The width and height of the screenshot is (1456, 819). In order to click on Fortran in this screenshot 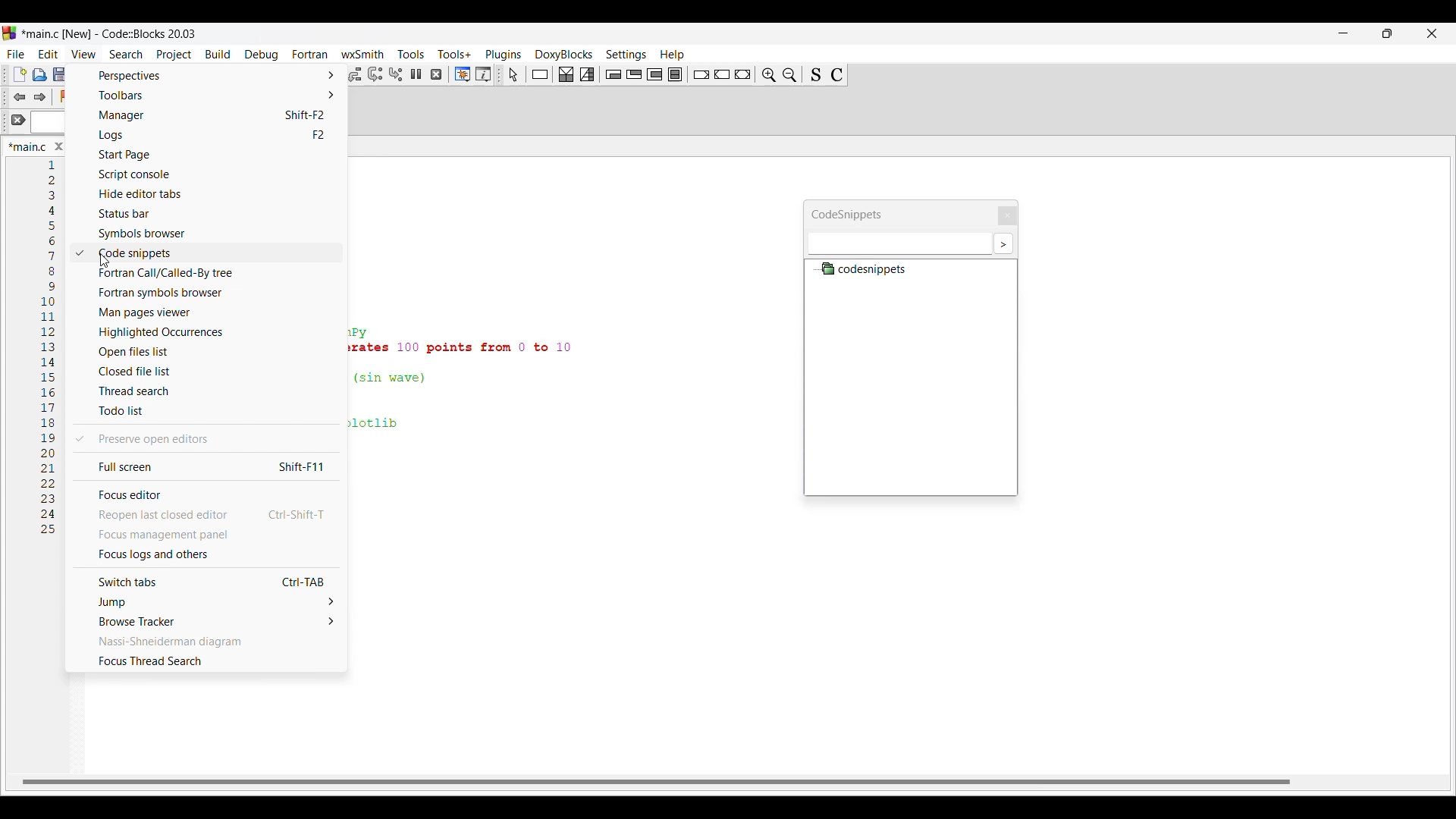, I will do `click(309, 54)`.